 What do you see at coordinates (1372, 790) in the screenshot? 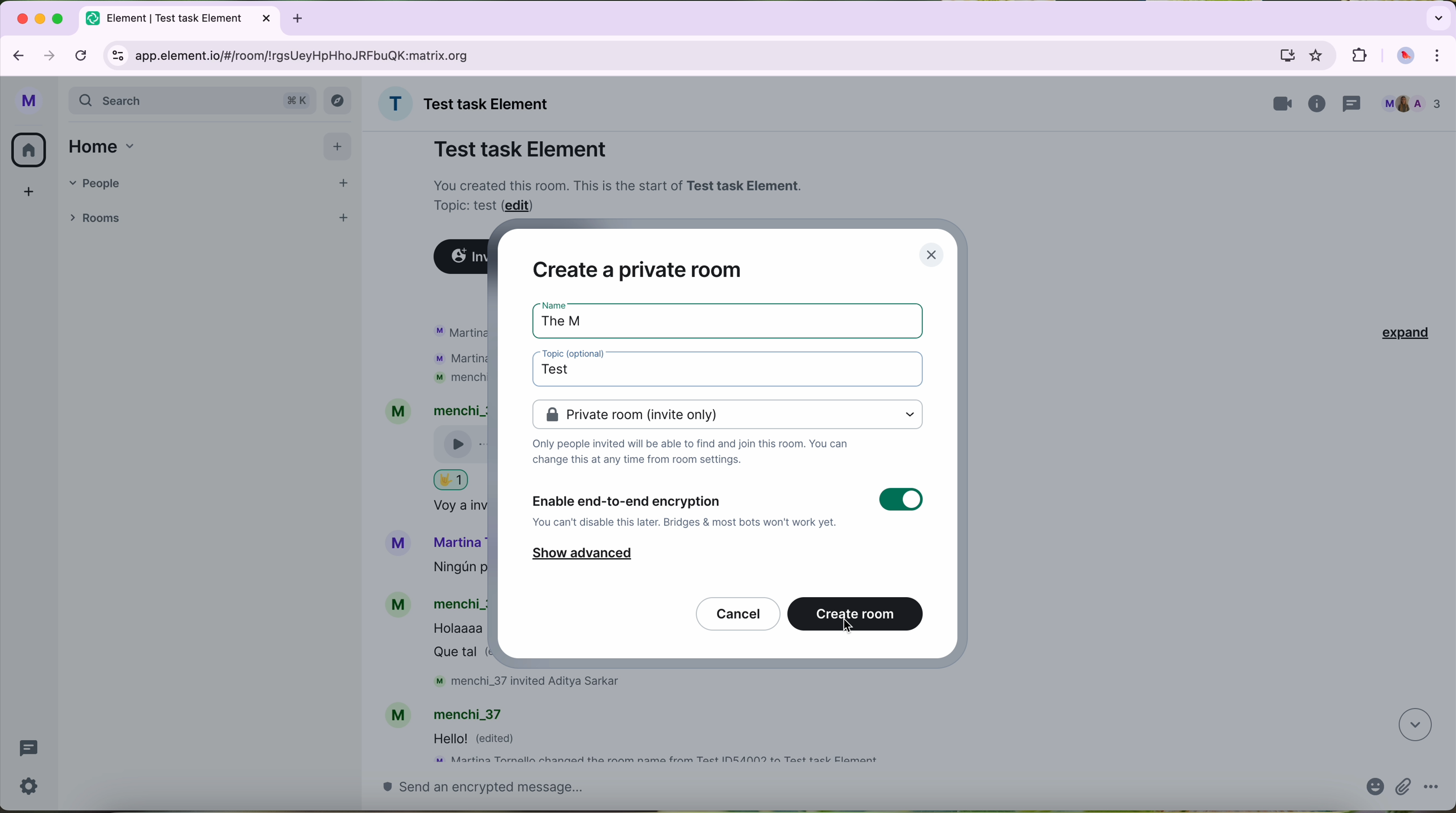
I see `emojis` at bounding box center [1372, 790].